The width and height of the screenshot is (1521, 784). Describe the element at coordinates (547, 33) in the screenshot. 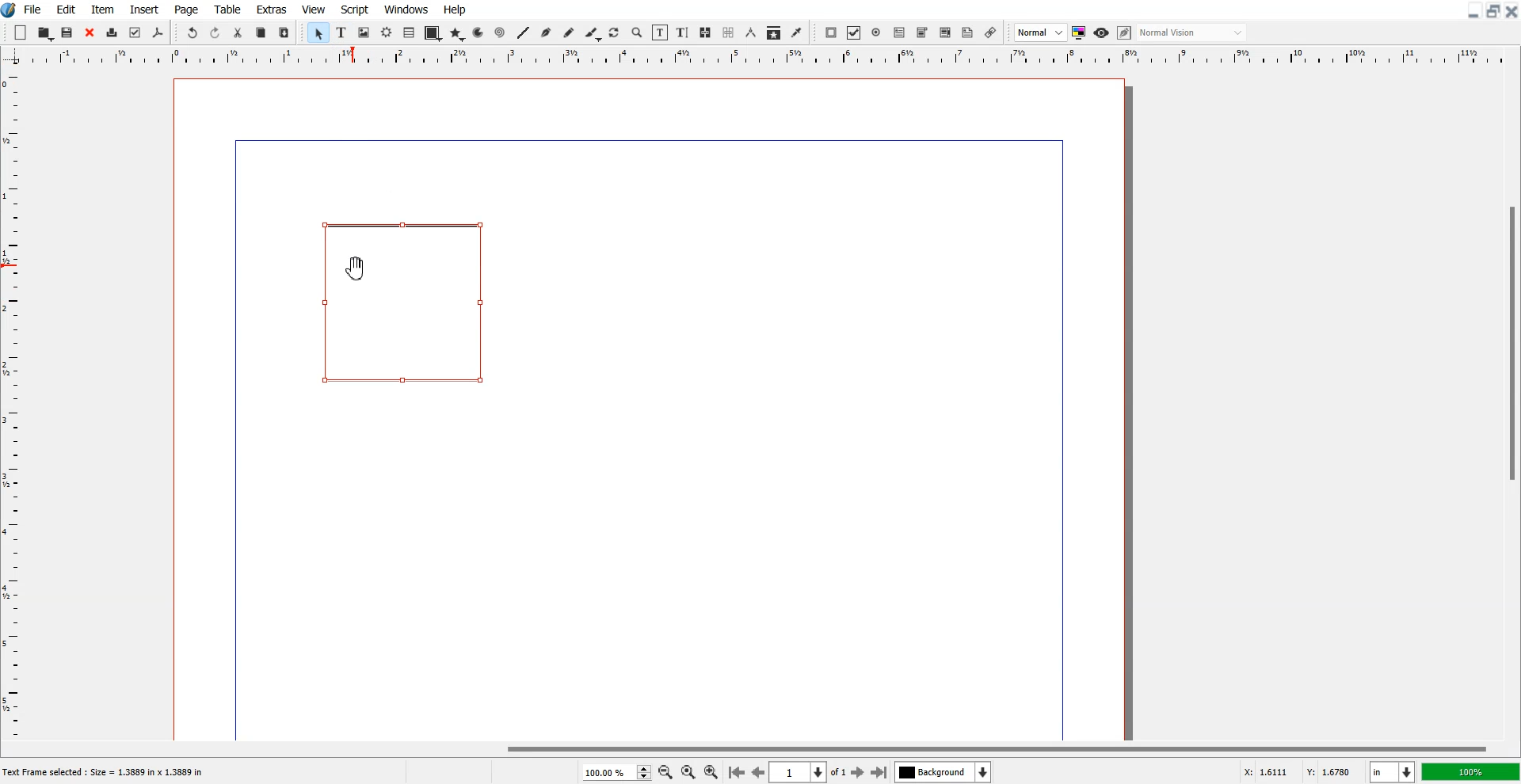

I see `Bezier curve` at that location.